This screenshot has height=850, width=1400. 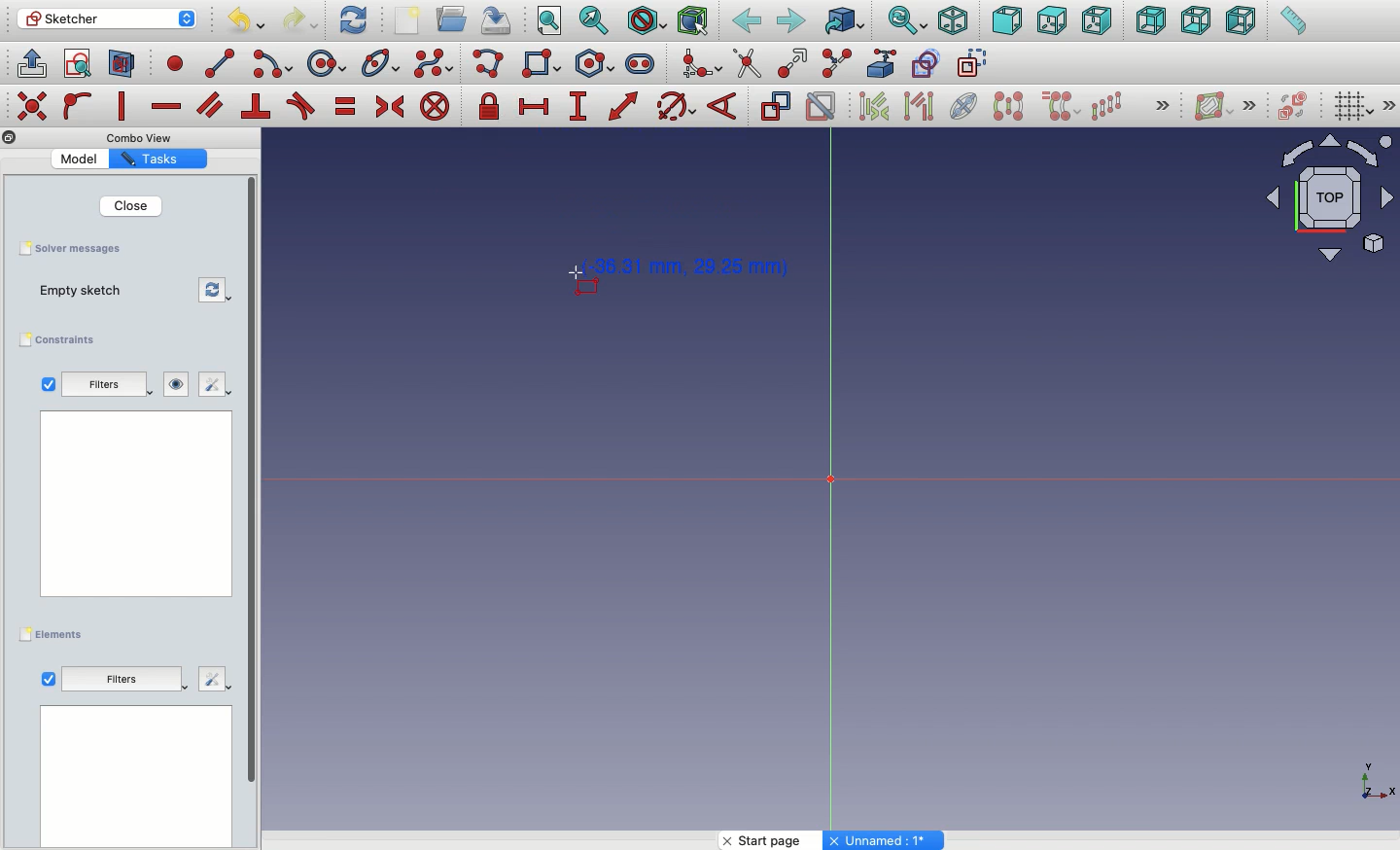 What do you see at coordinates (1007, 106) in the screenshot?
I see `Symmetry` at bounding box center [1007, 106].